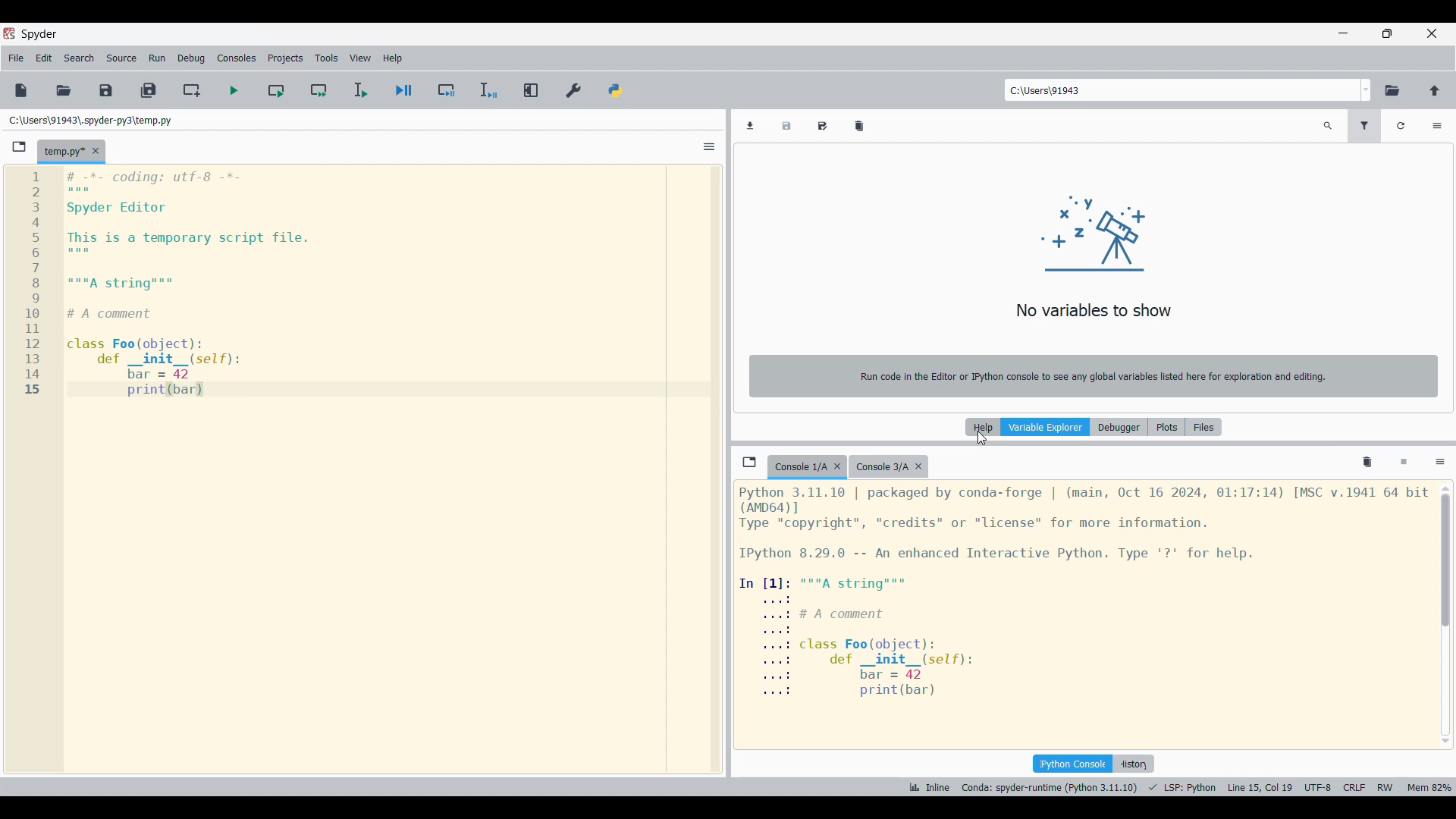  I want to click on Debug menu, so click(191, 58).